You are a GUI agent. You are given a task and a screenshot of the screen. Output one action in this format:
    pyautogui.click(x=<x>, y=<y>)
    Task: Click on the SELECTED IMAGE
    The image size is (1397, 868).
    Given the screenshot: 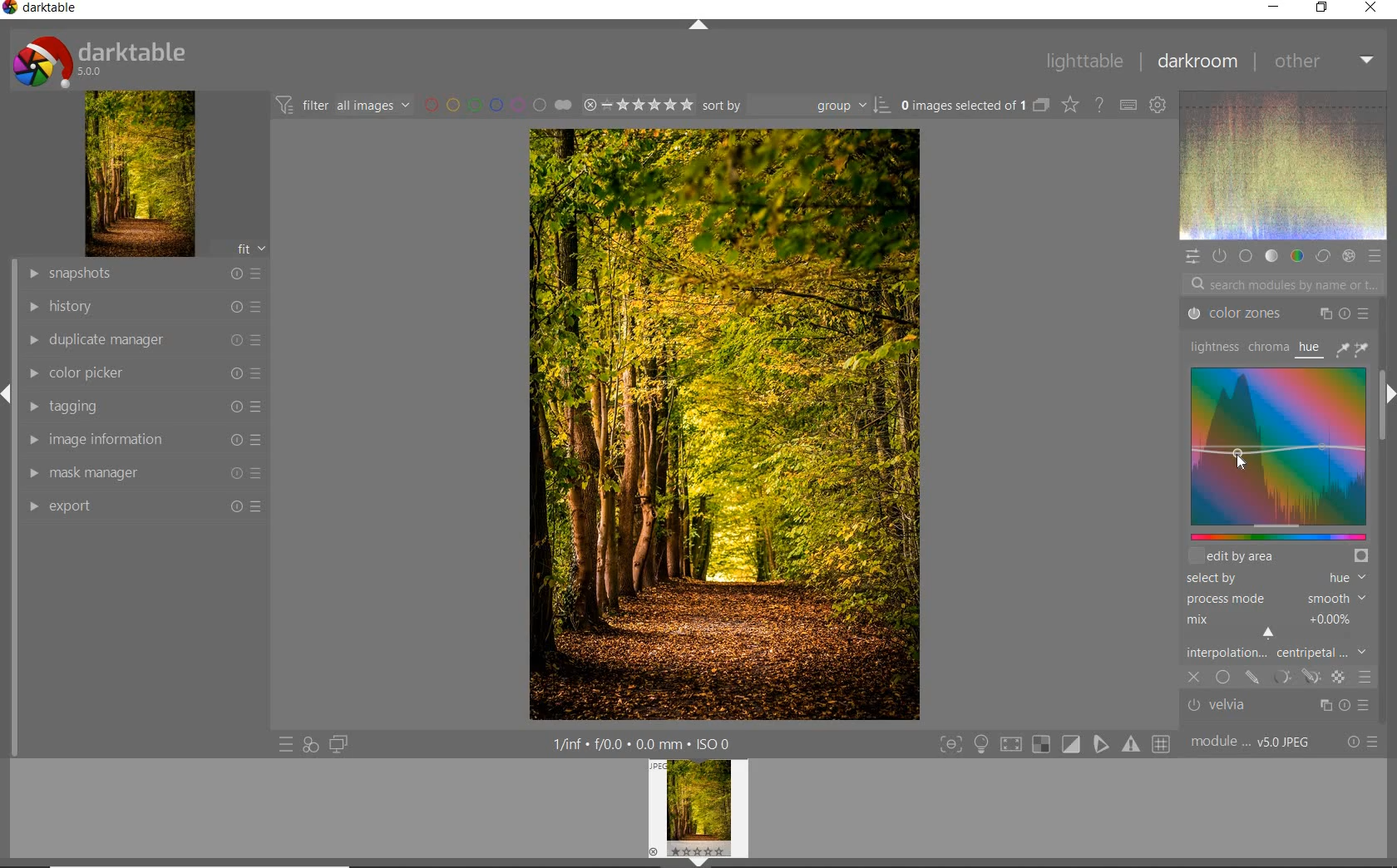 What is the action you would take?
    pyautogui.click(x=725, y=423)
    